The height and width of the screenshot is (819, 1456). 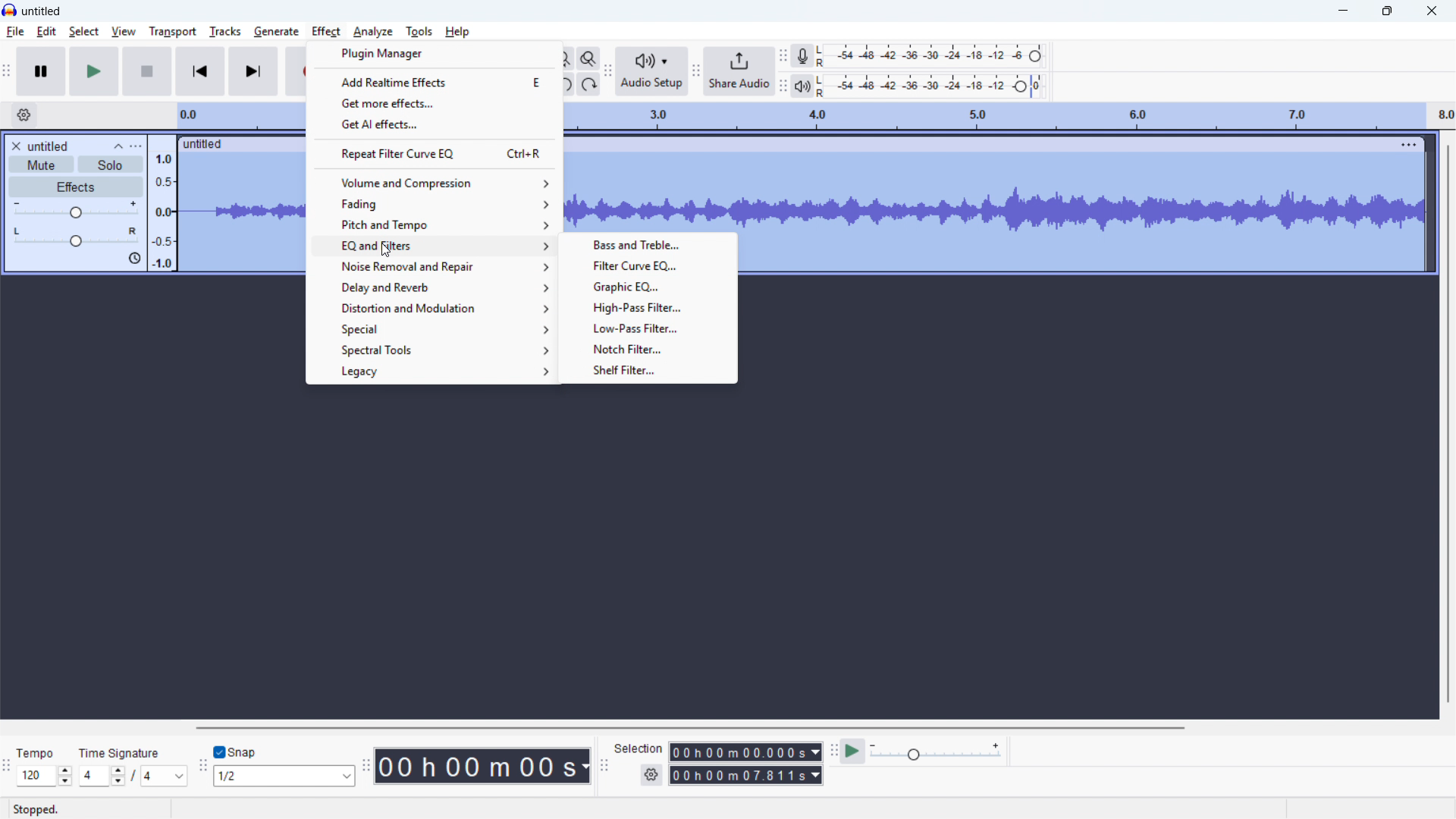 I want to click on Horizontal scroll bar , so click(x=687, y=728).